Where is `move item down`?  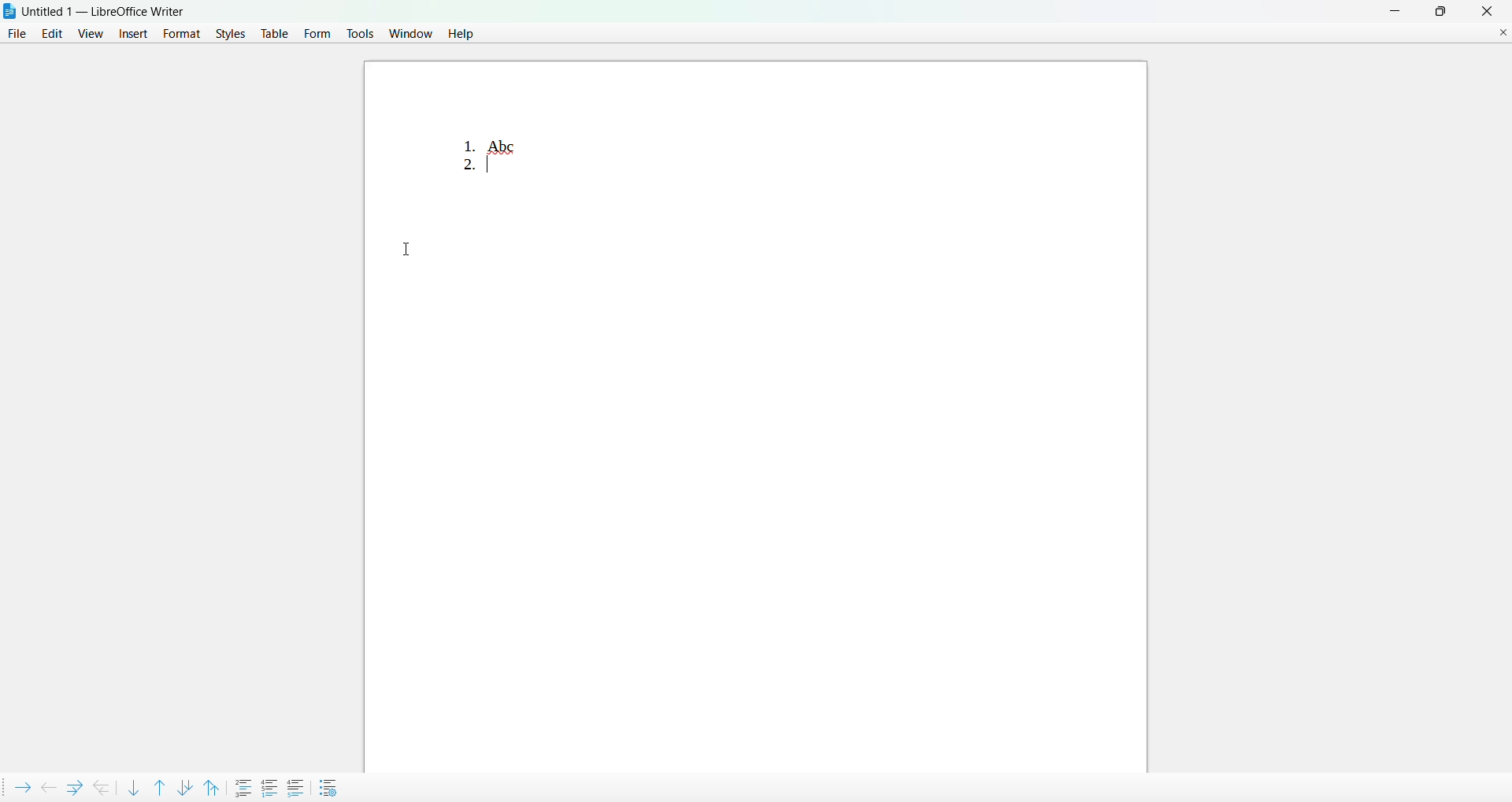
move item down is located at coordinates (133, 787).